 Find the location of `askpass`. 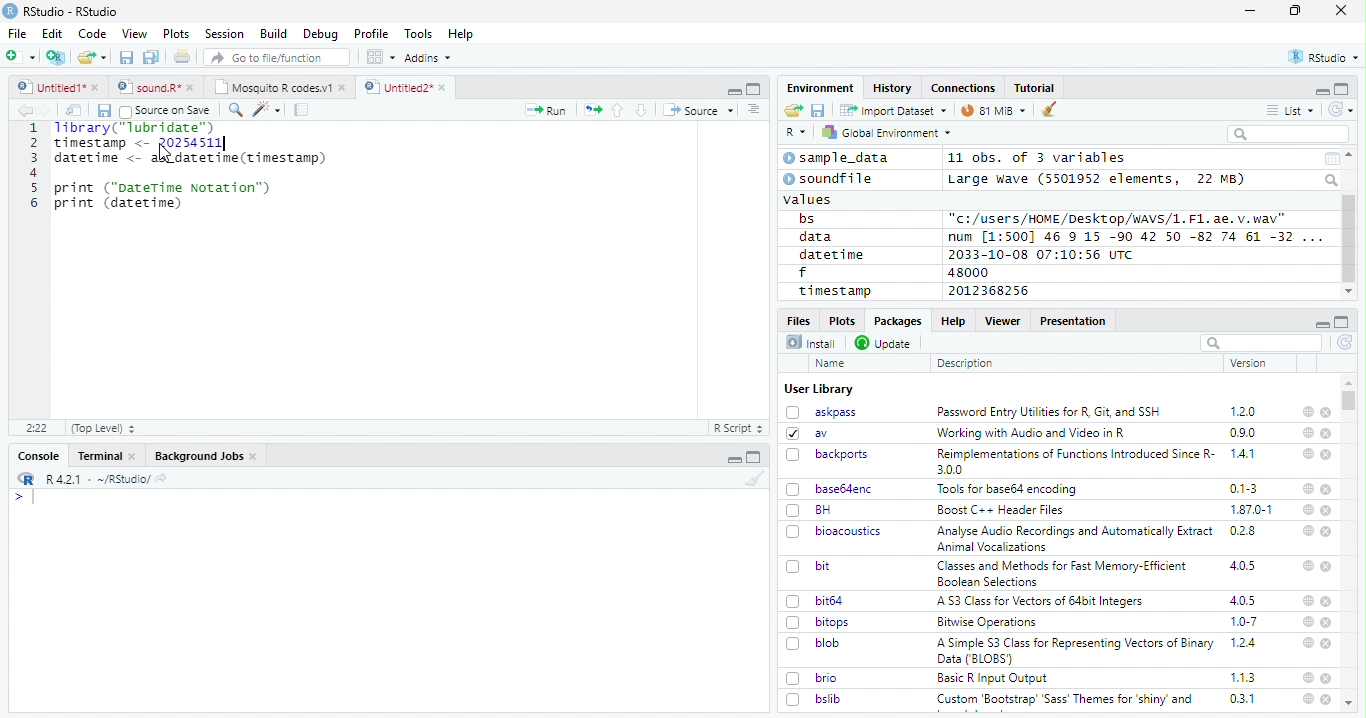

askpass is located at coordinates (820, 412).